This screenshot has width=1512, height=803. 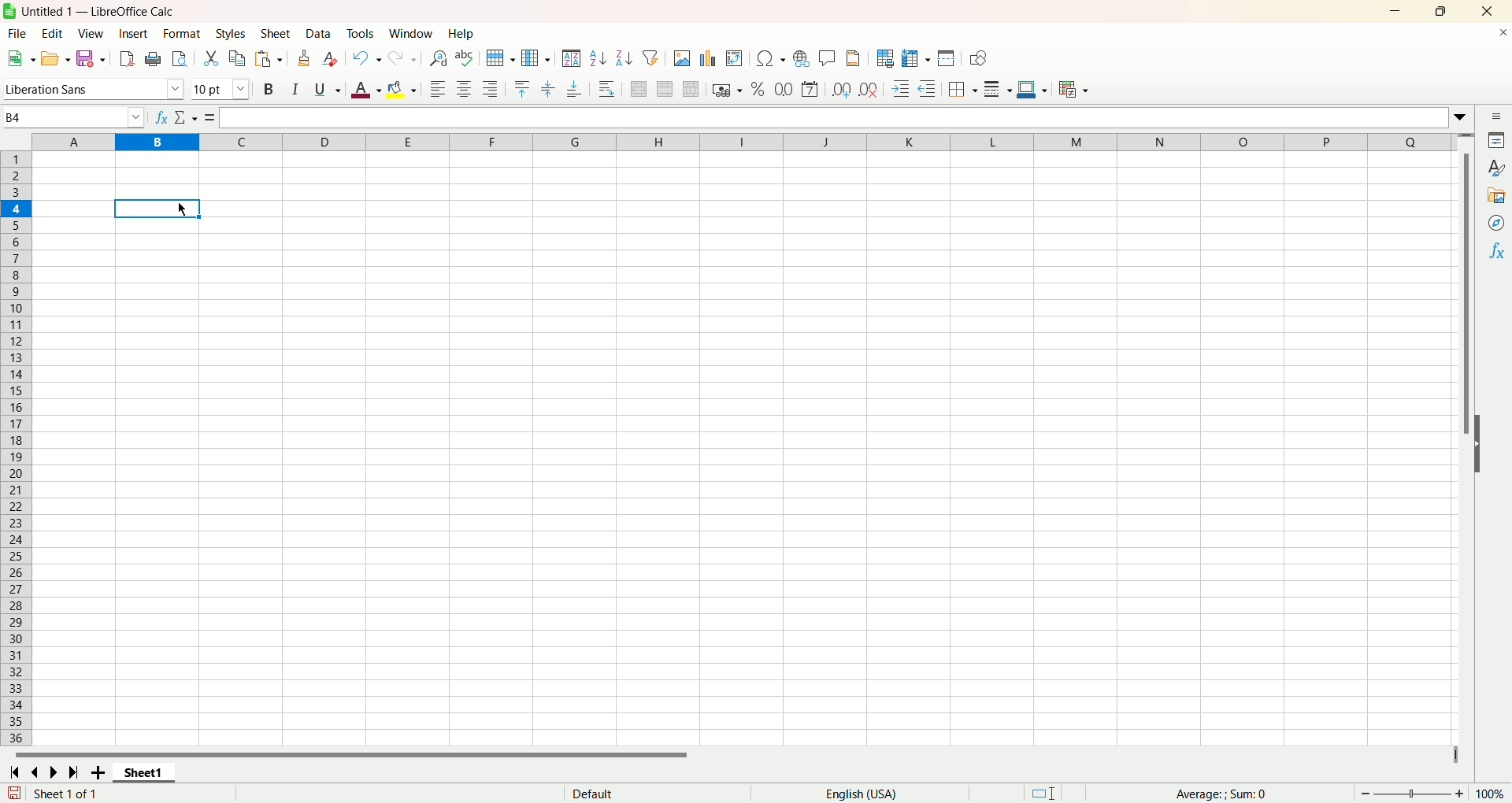 What do you see at coordinates (57, 774) in the screenshot?
I see `Next sheet` at bounding box center [57, 774].